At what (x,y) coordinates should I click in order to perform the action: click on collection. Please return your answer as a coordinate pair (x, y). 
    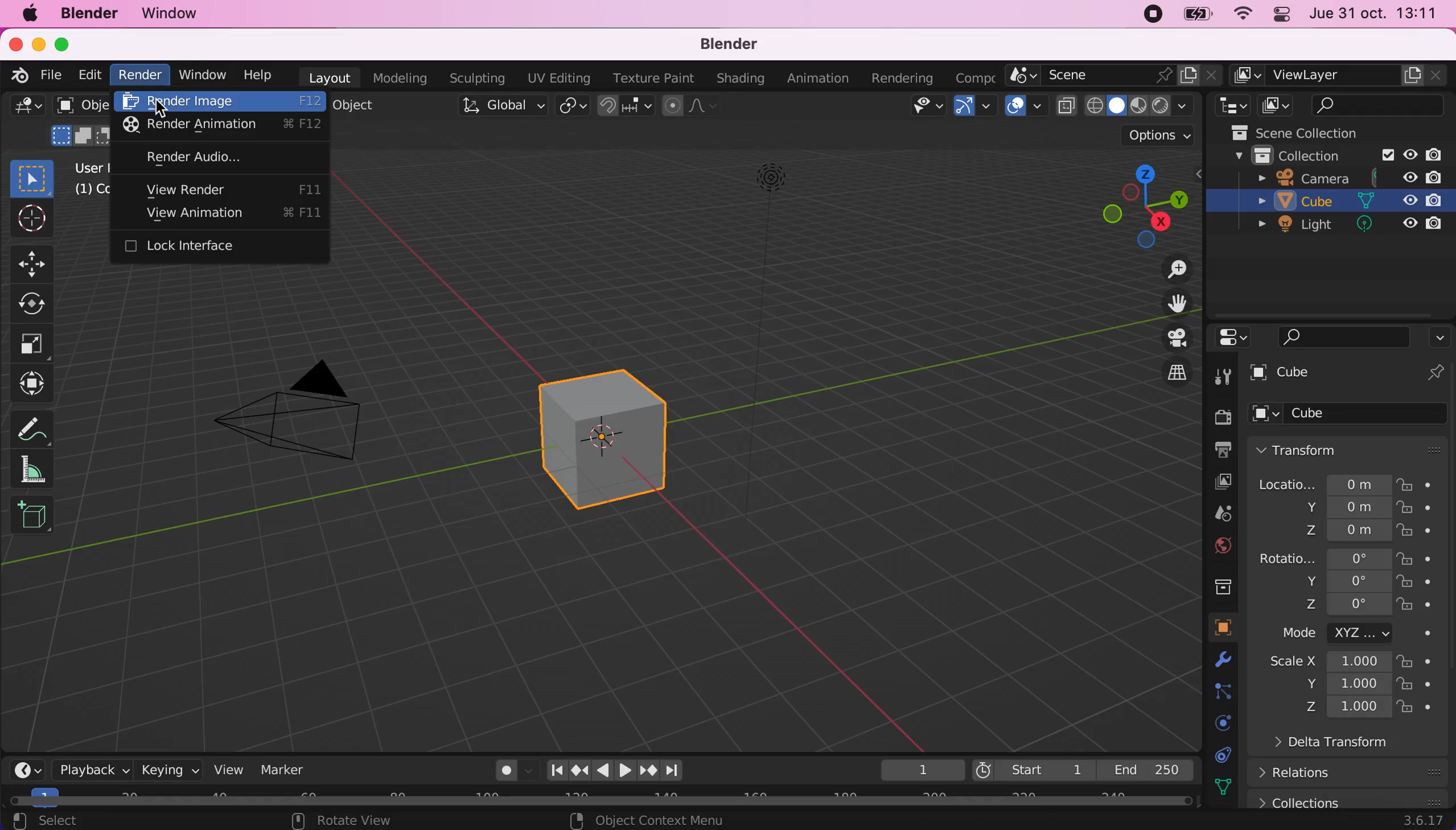
    Looking at the image, I should click on (1222, 585).